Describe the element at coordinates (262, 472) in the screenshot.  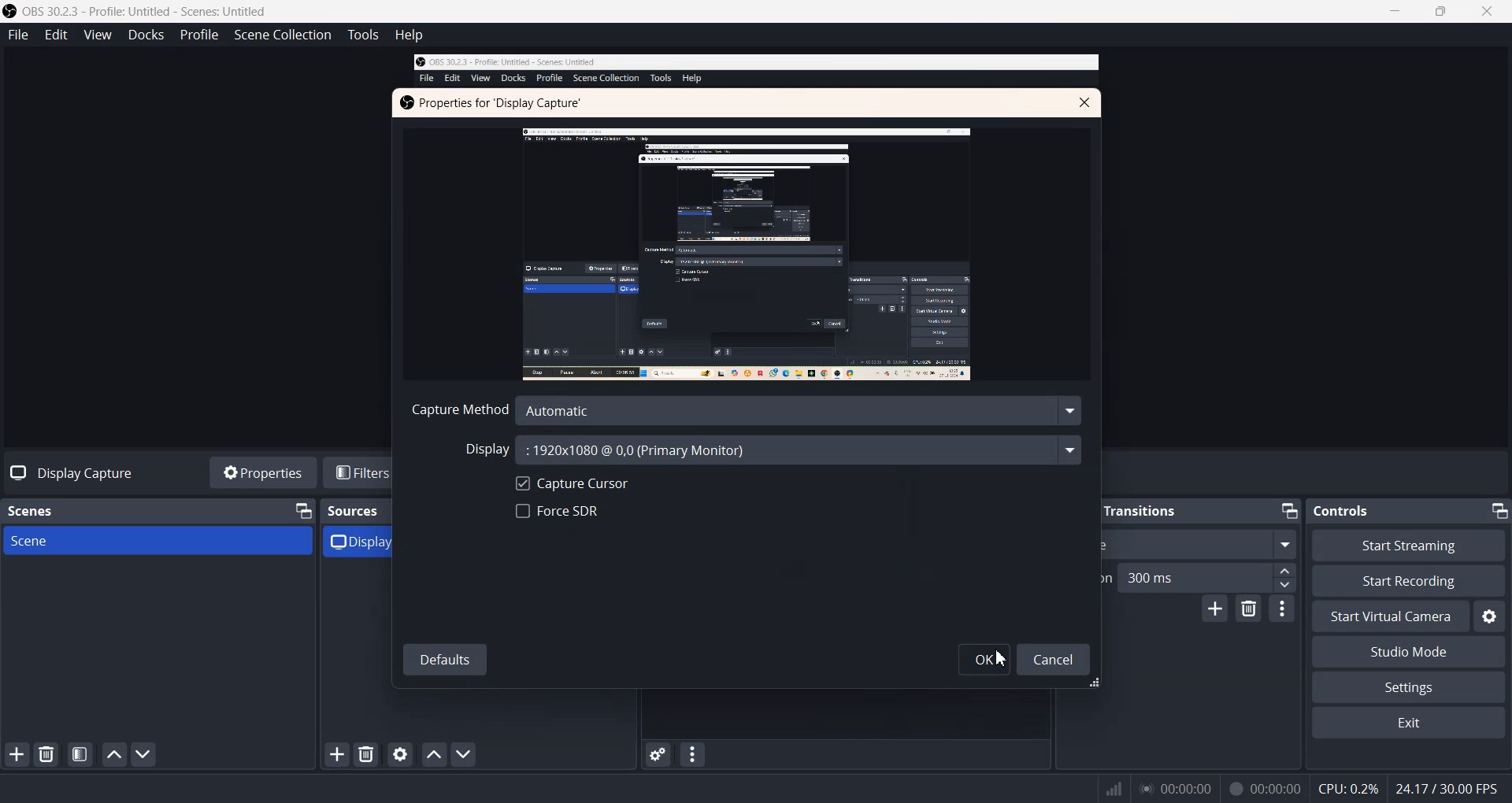
I see `Properties` at that location.